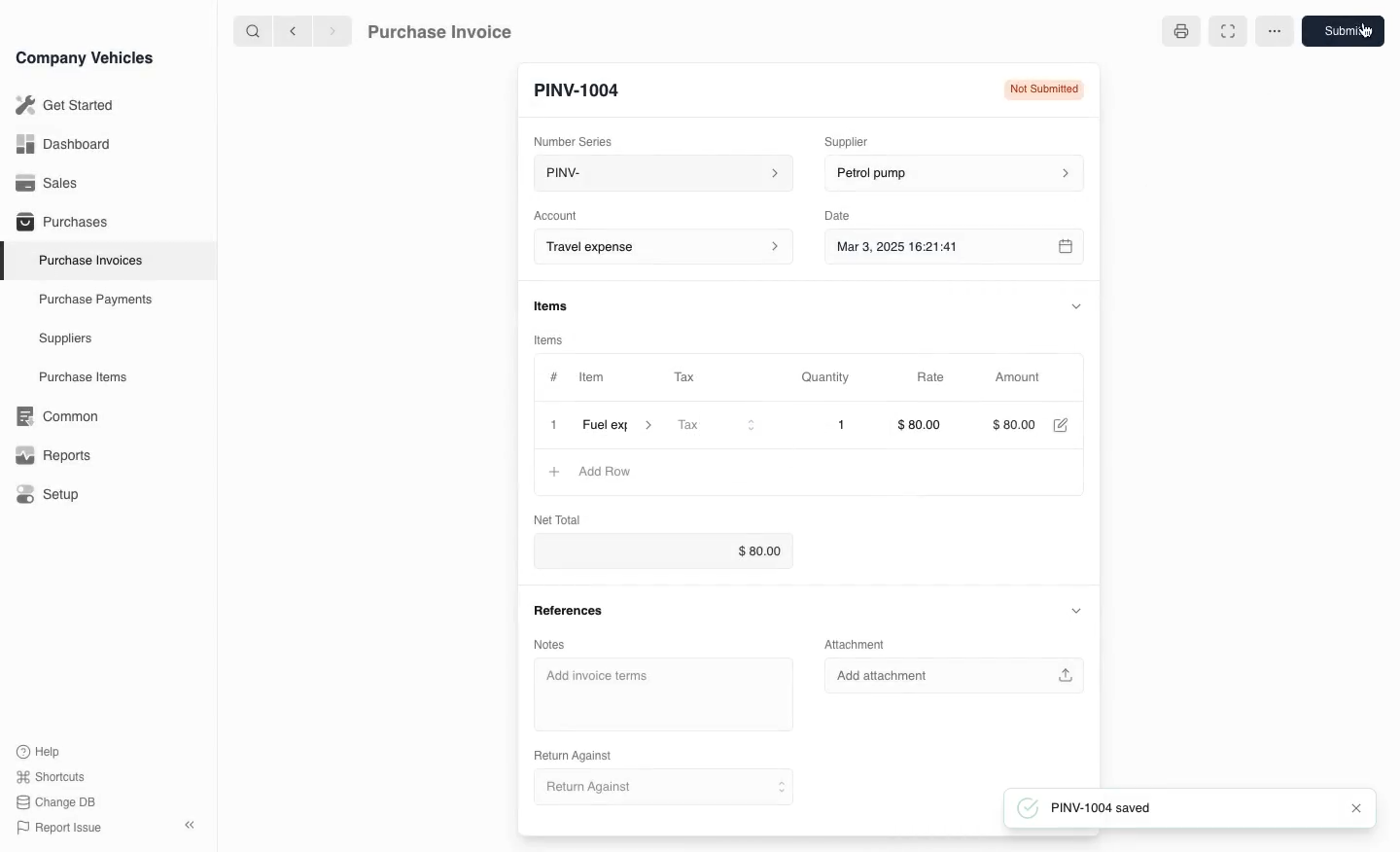  What do you see at coordinates (1274, 31) in the screenshot?
I see `options` at bounding box center [1274, 31].